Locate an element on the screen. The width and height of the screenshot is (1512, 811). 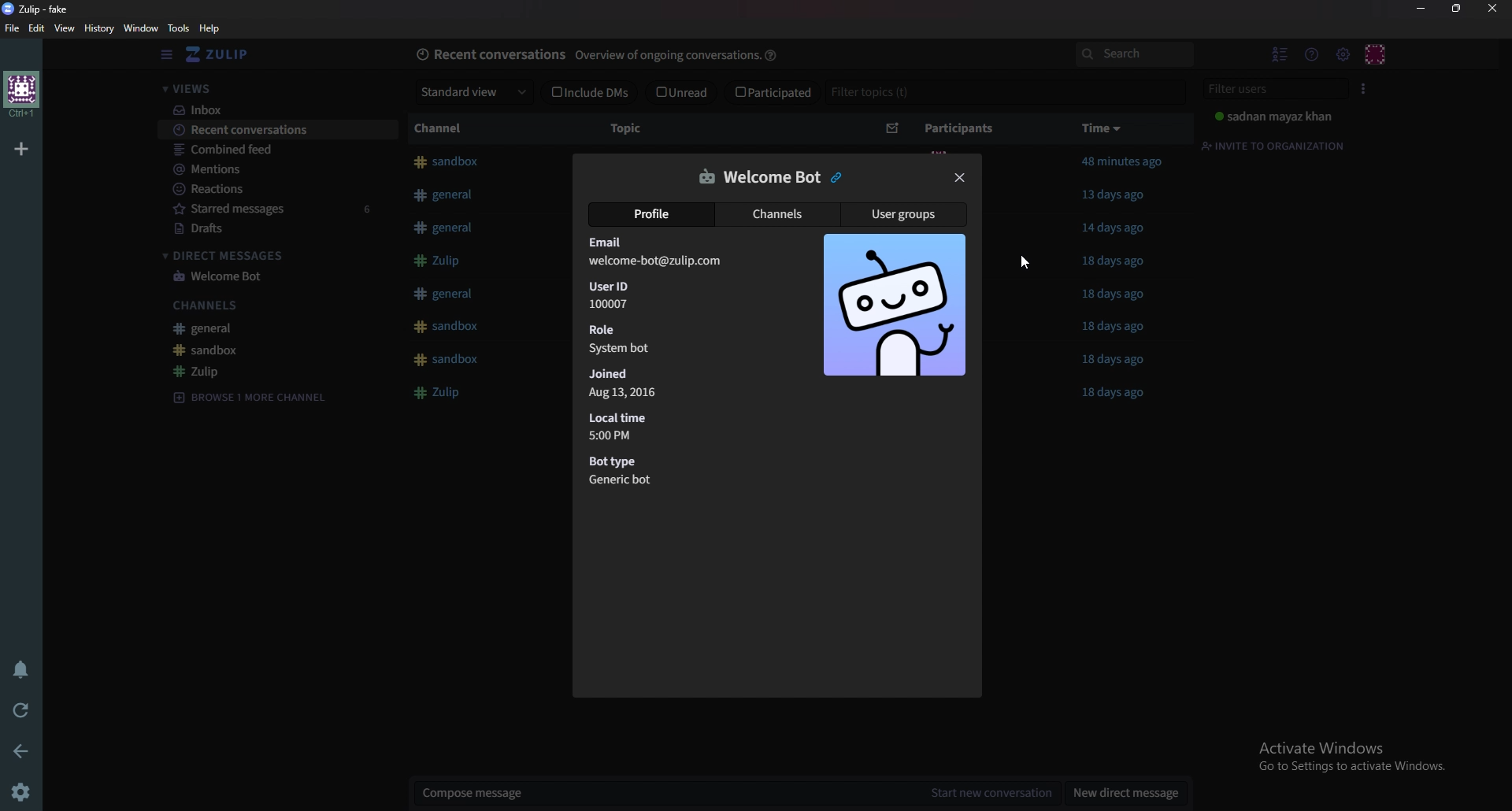
#sandbox is located at coordinates (447, 361).